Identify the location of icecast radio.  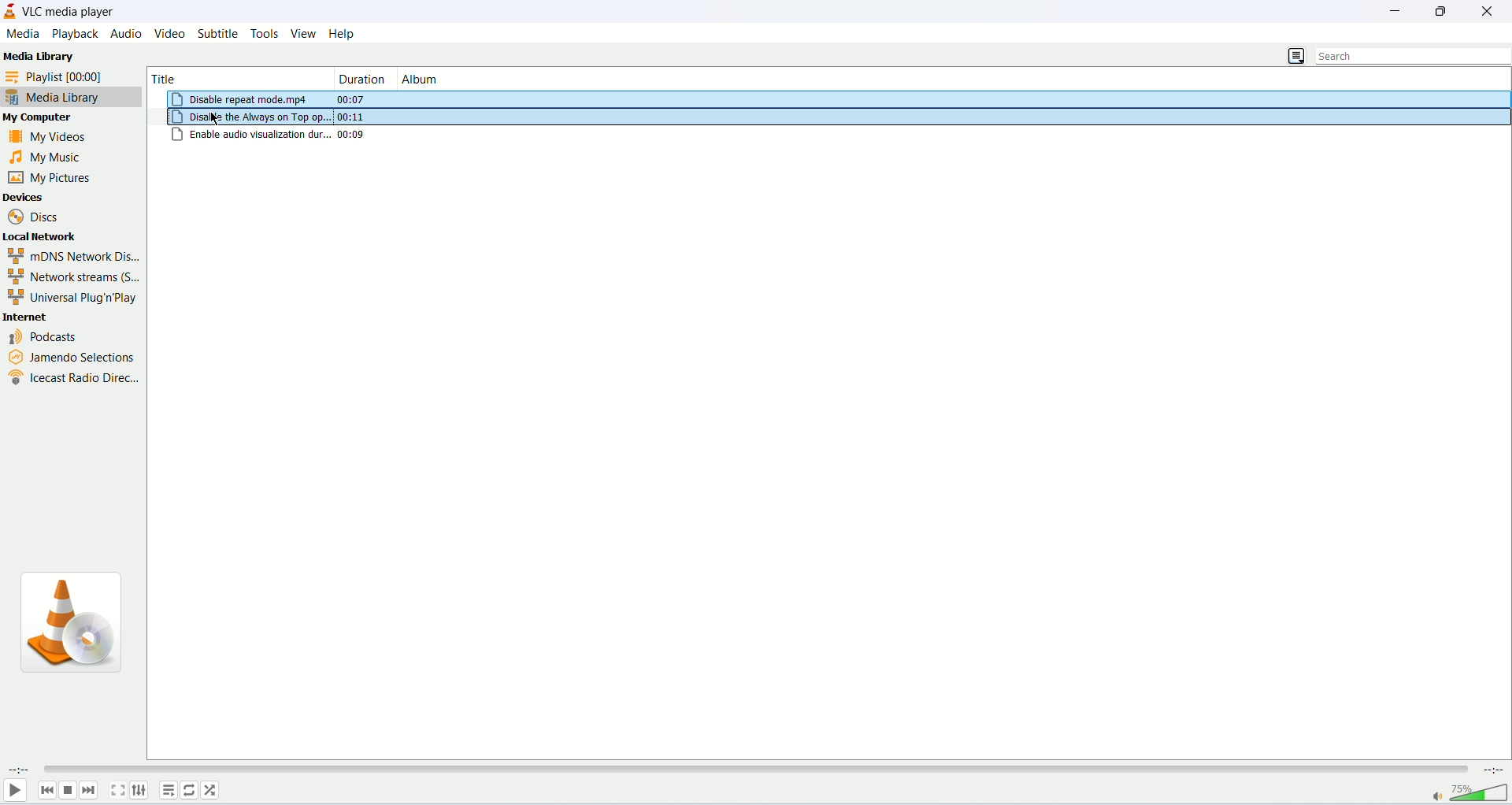
(72, 377).